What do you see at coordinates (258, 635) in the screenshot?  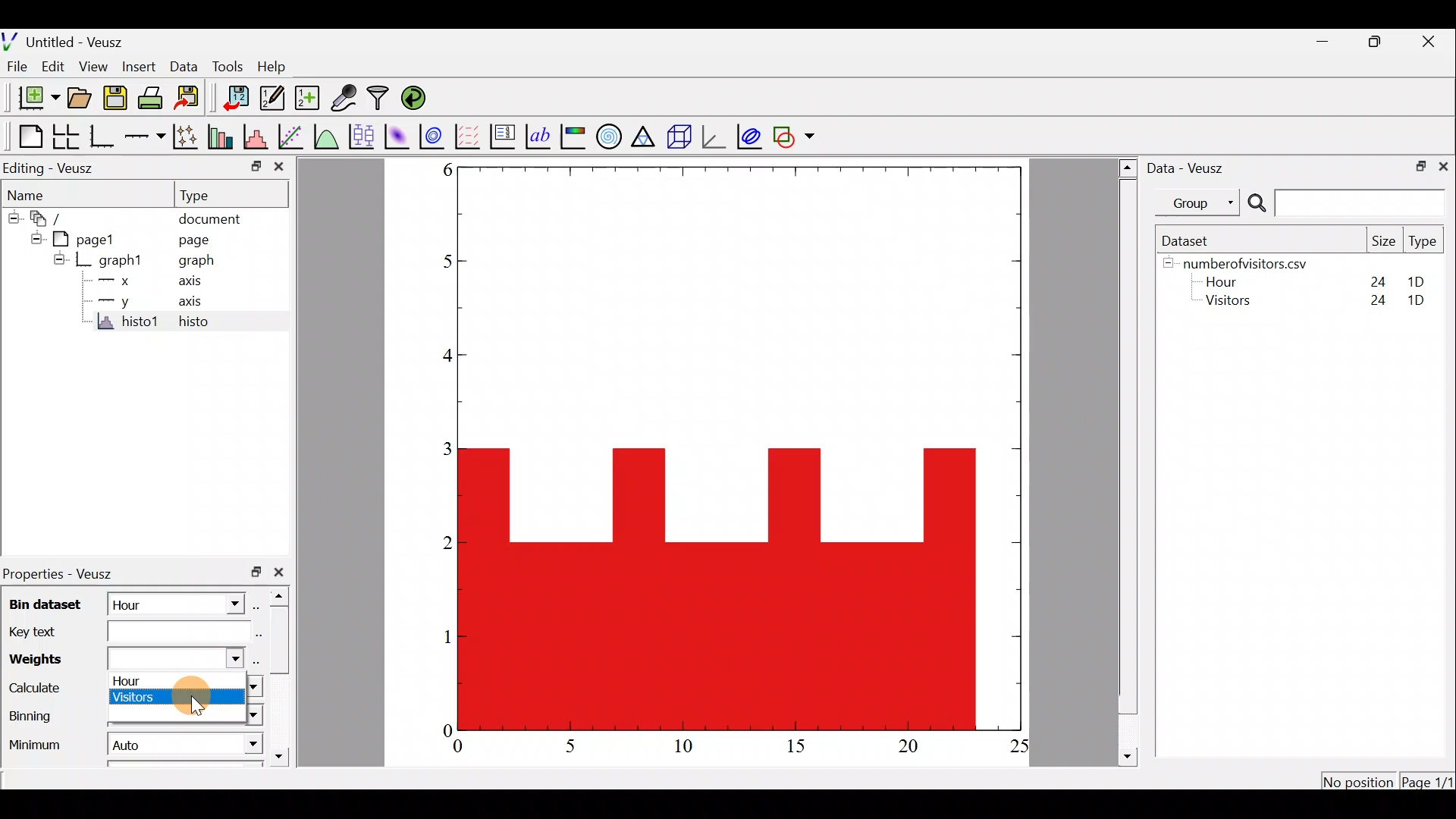 I see `Edit text` at bounding box center [258, 635].